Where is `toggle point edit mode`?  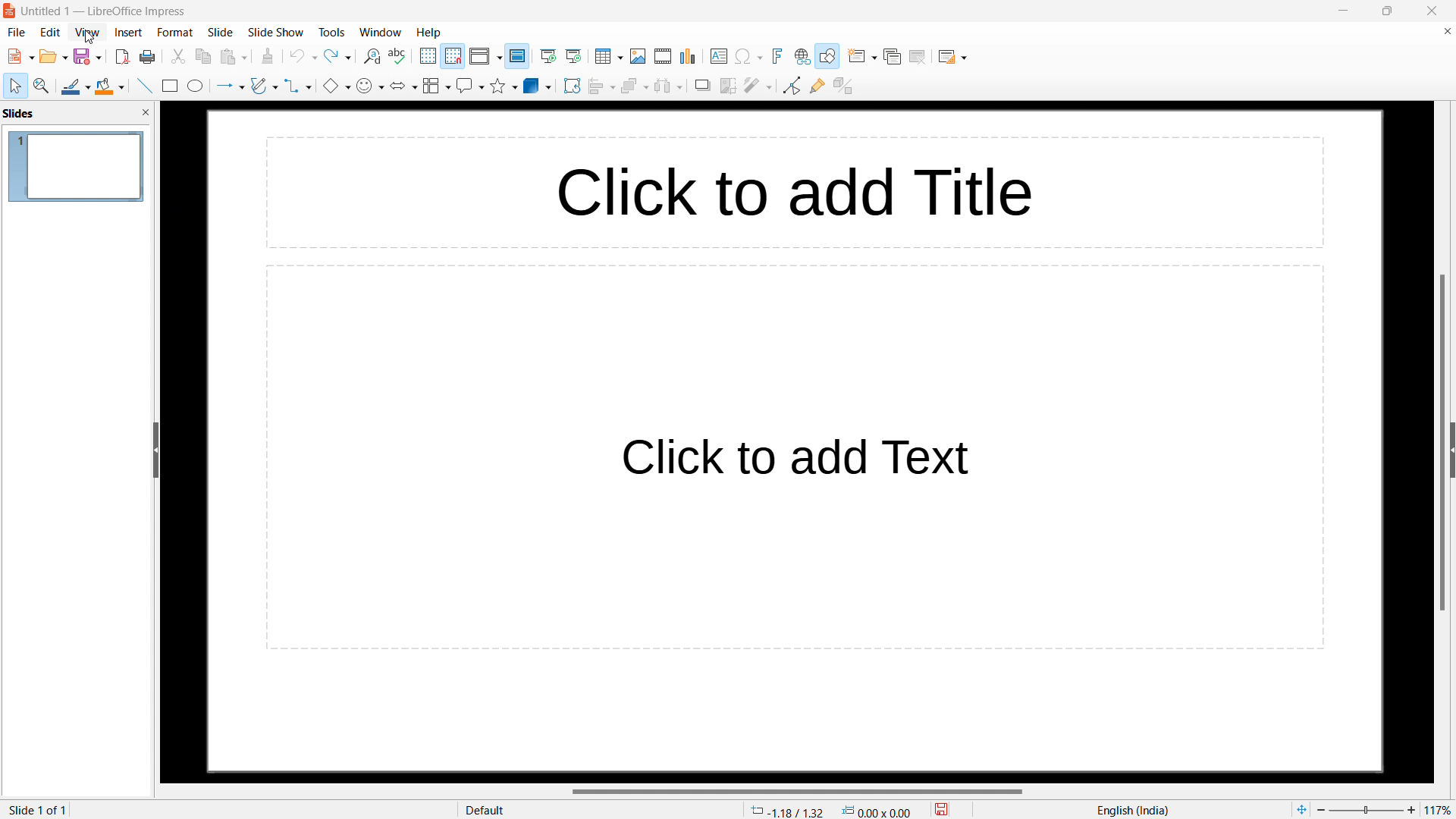 toggle point edit mode is located at coordinates (792, 86).